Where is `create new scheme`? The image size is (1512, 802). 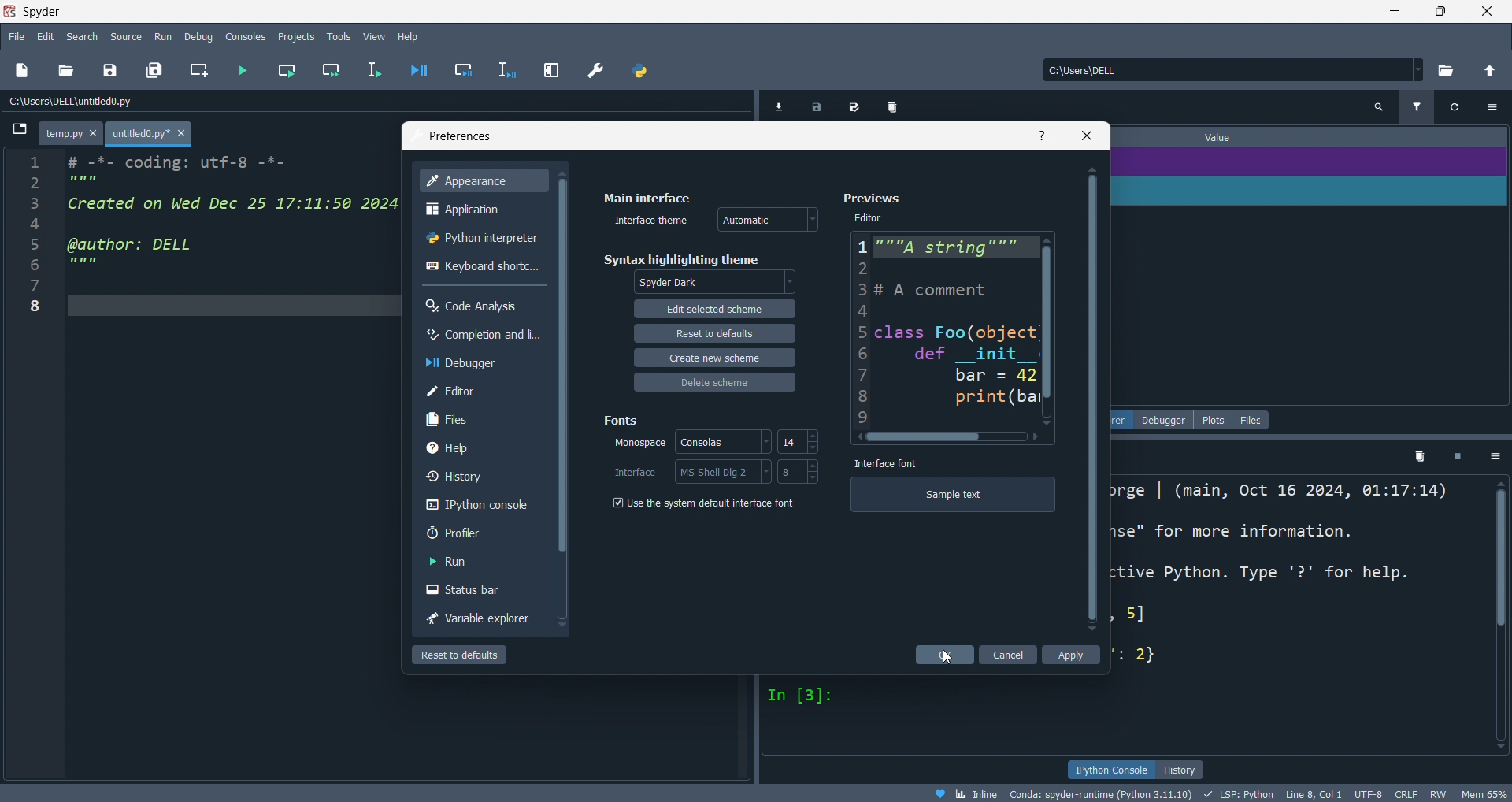
create new scheme is located at coordinates (716, 358).